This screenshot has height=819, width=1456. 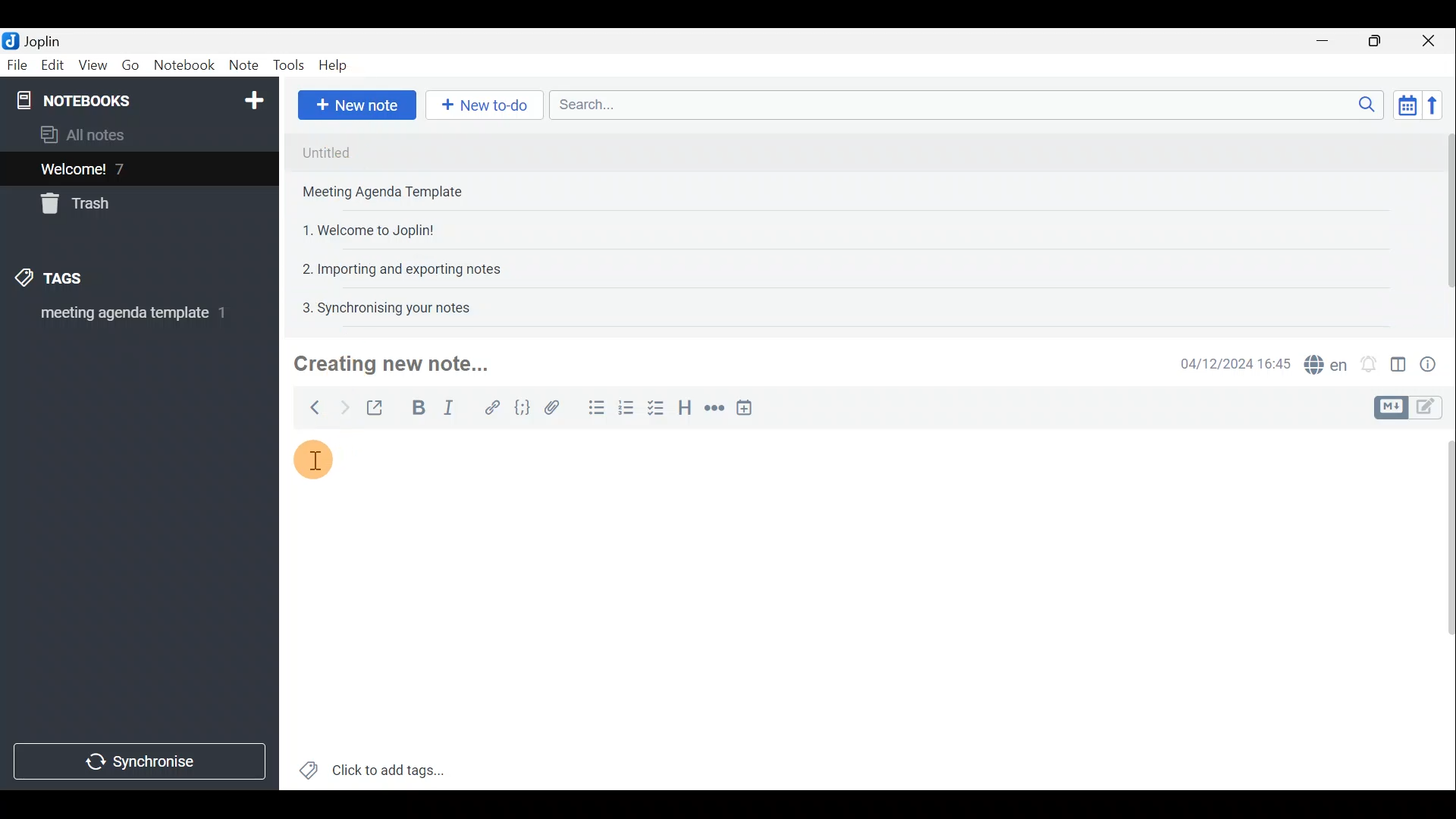 I want to click on Note 4, so click(x=394, y=266).